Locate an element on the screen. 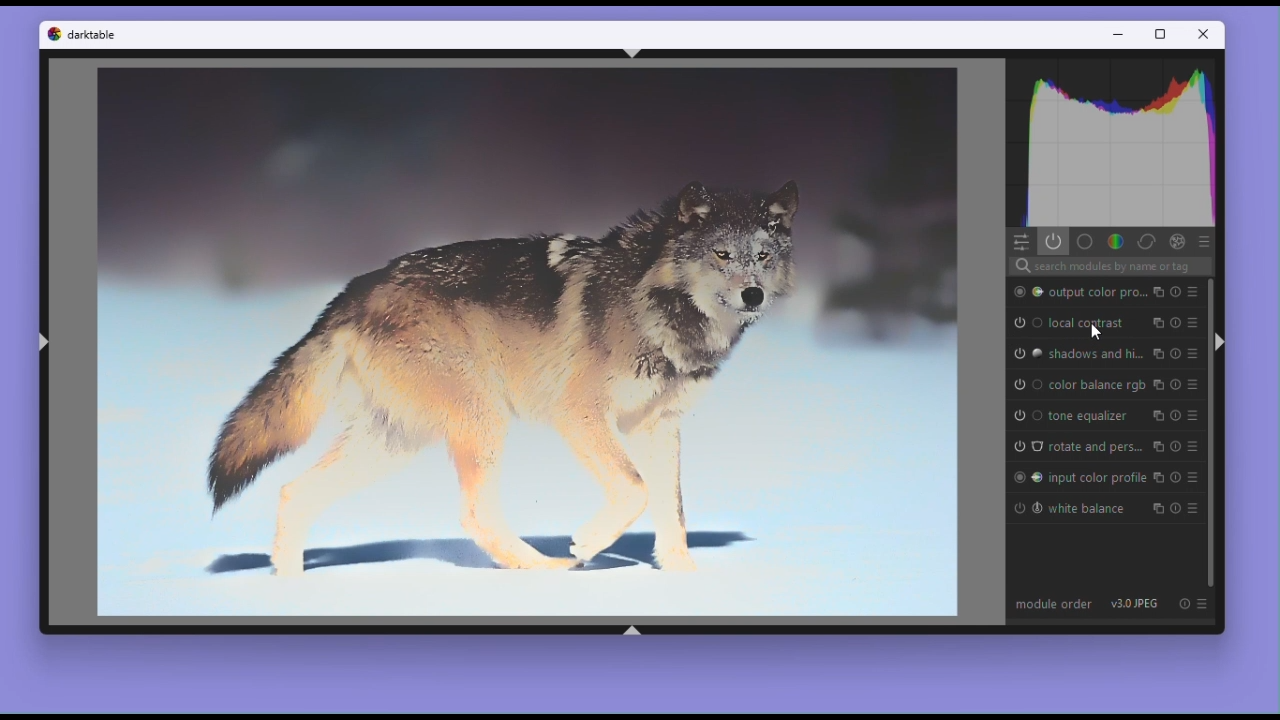  Reset parameters is located at coordinates (1176, 351).